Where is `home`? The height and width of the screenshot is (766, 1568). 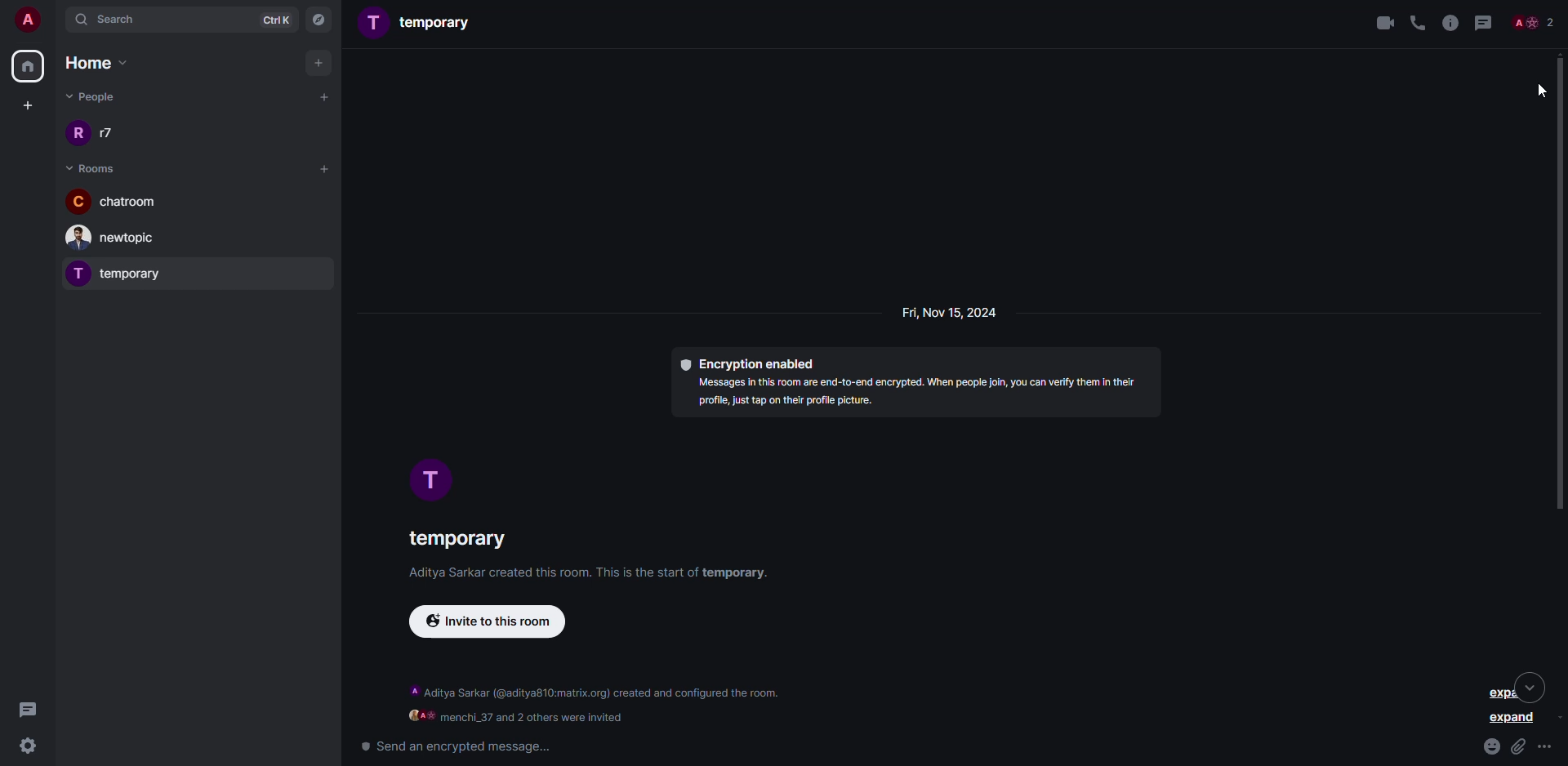 home is located at coordinates (29, 66).